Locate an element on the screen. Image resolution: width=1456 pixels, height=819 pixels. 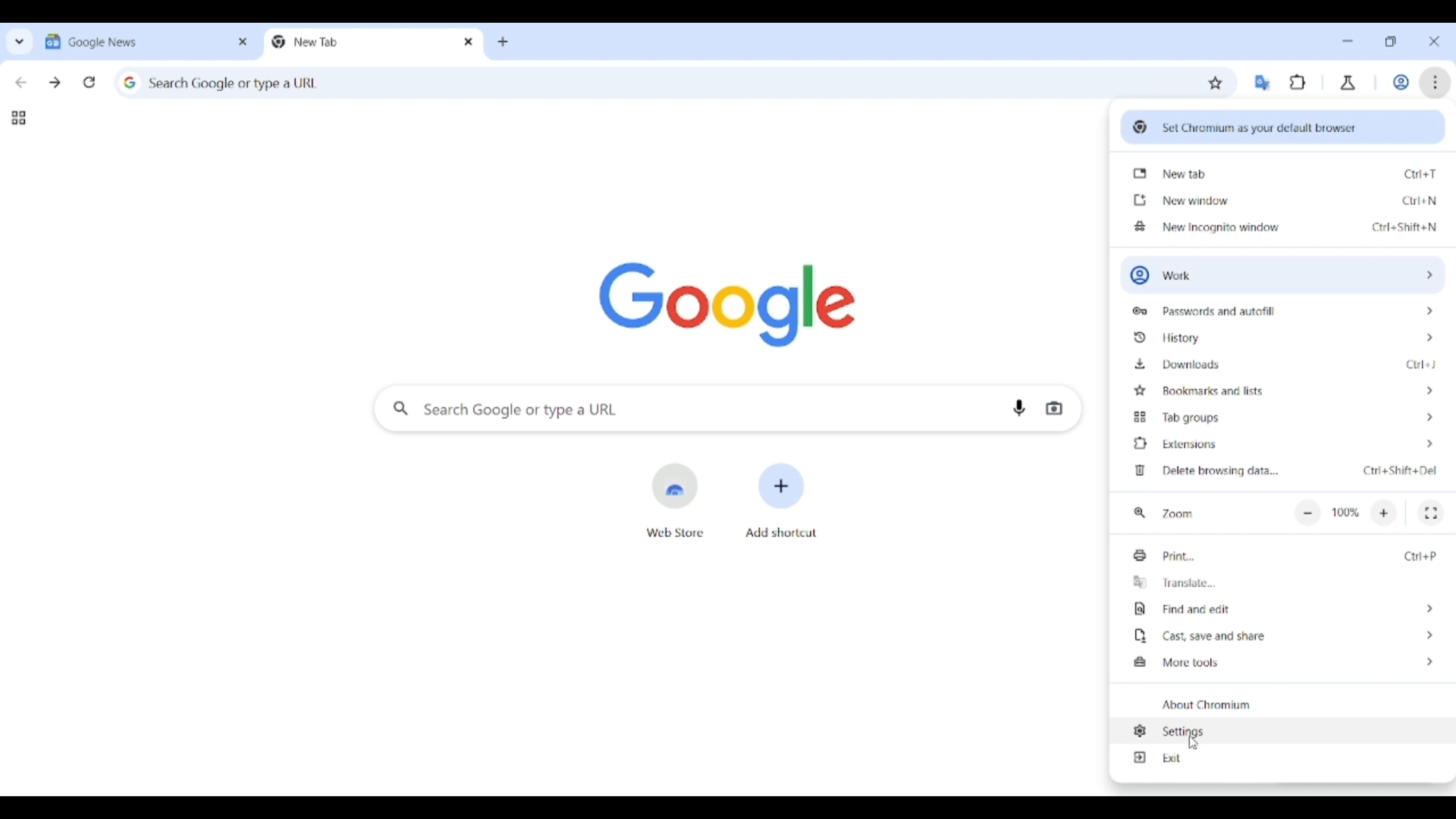
Fullscreen is located at coordinates (1432, 513).